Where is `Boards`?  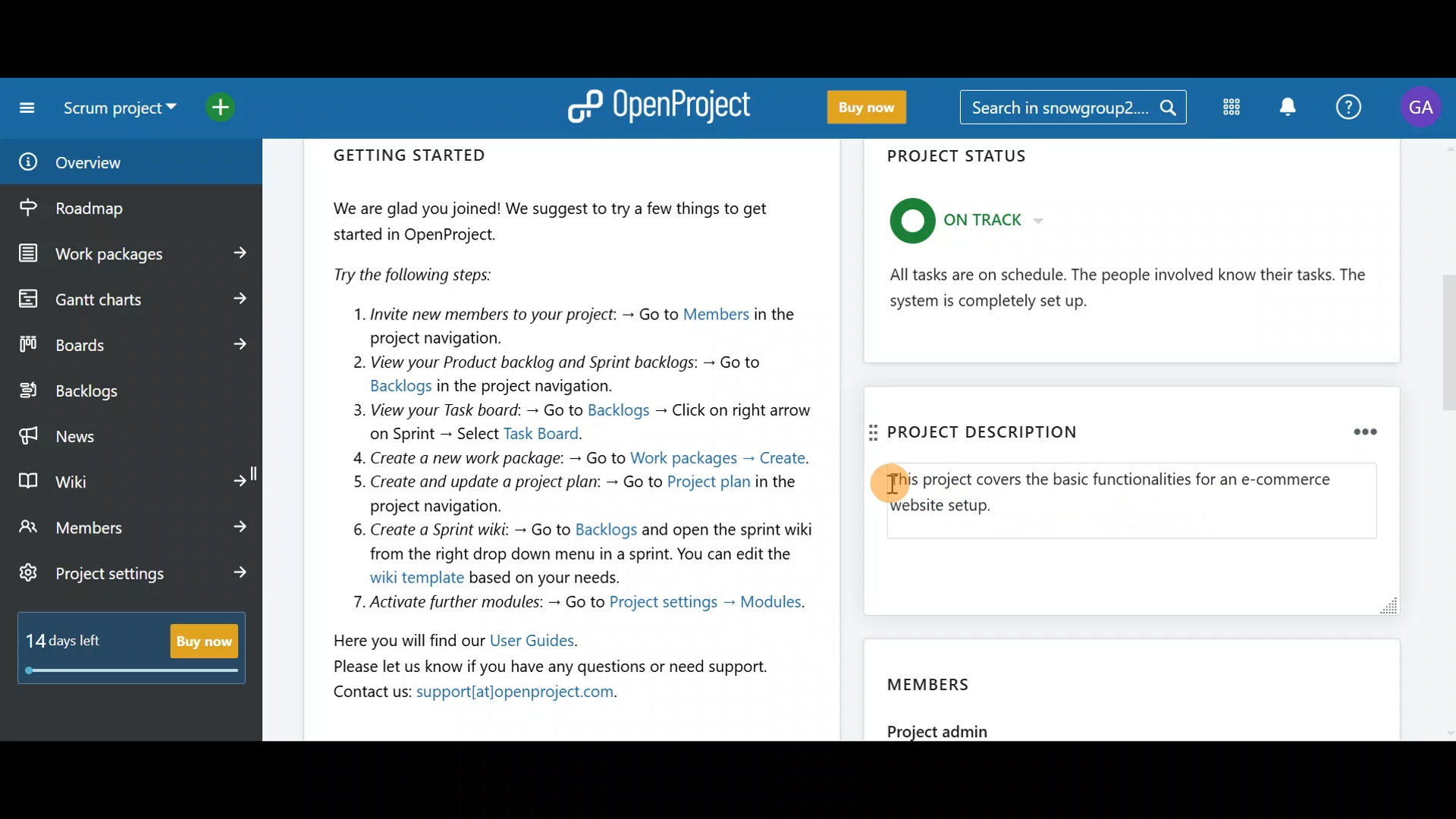
Boards is located at coordinates (131, 344).